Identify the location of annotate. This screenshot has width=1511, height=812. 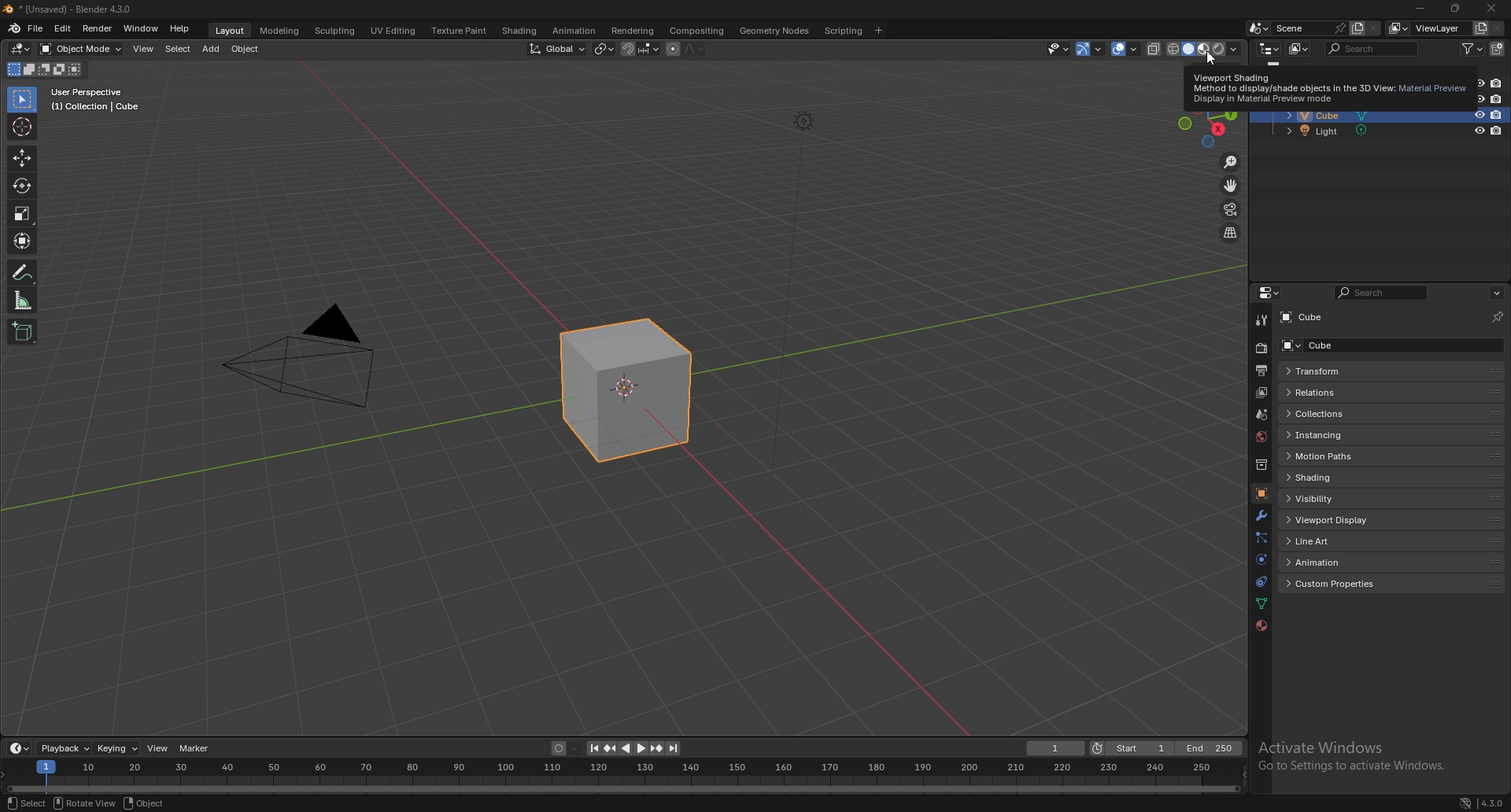
(22, 272).